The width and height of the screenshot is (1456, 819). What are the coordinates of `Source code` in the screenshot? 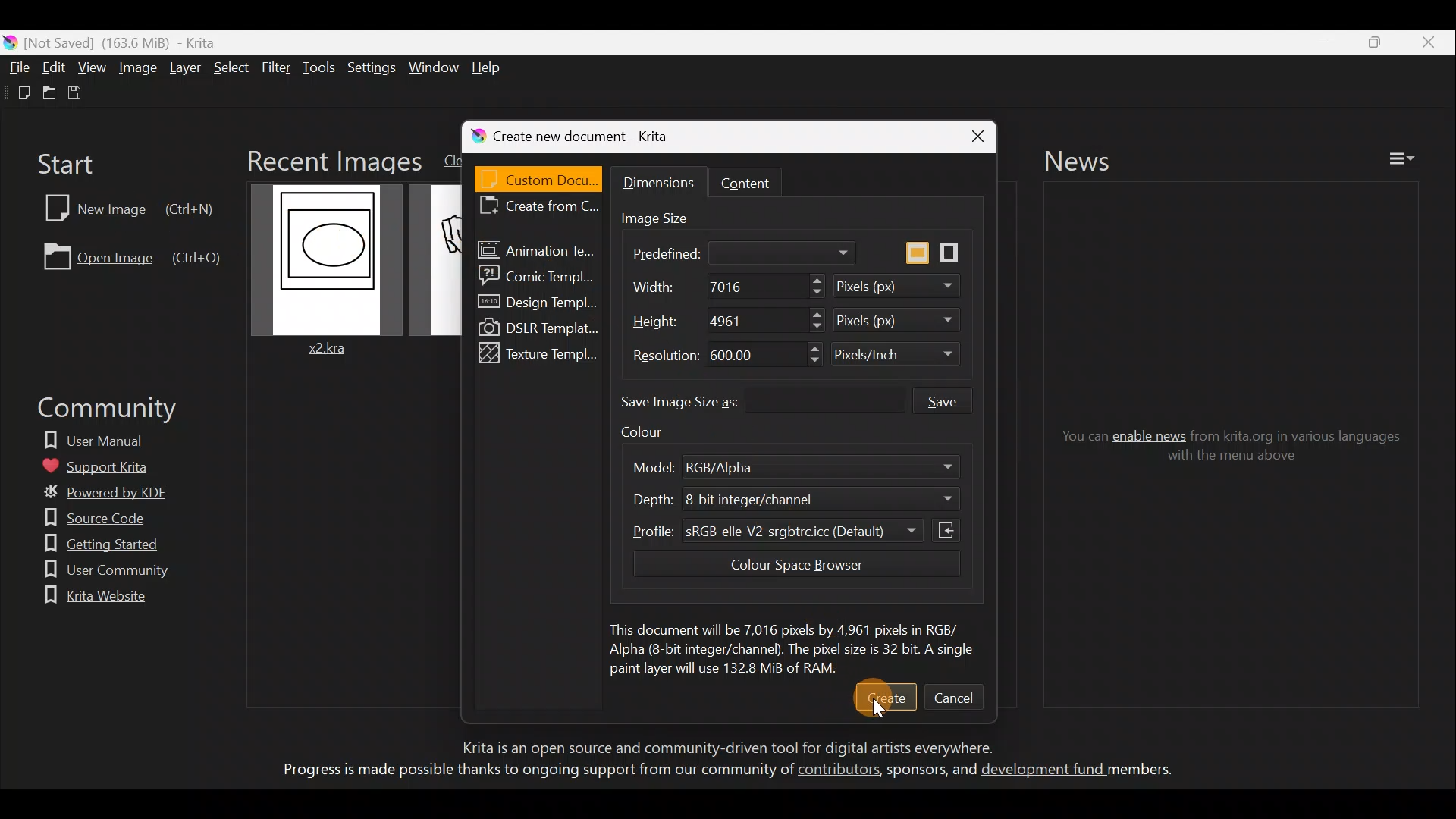 It's located at (88, 518).